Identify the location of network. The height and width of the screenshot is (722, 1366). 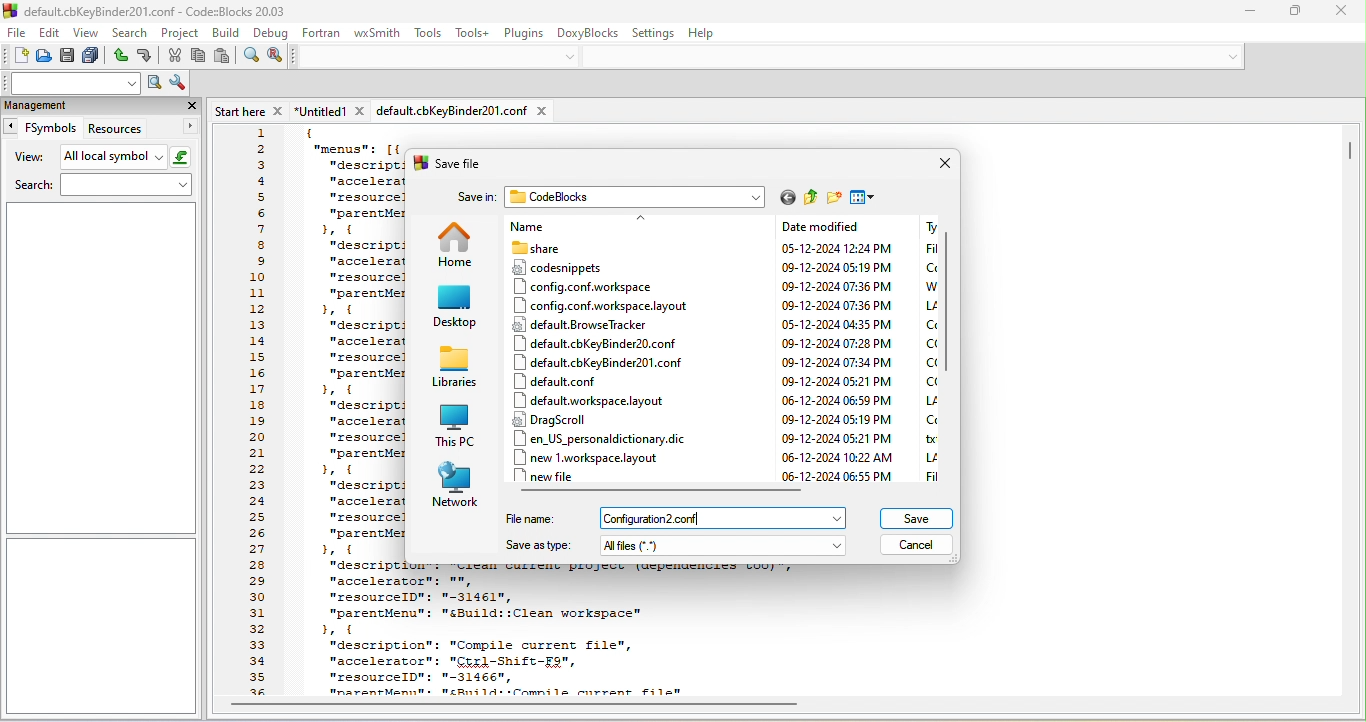
(456, 485).